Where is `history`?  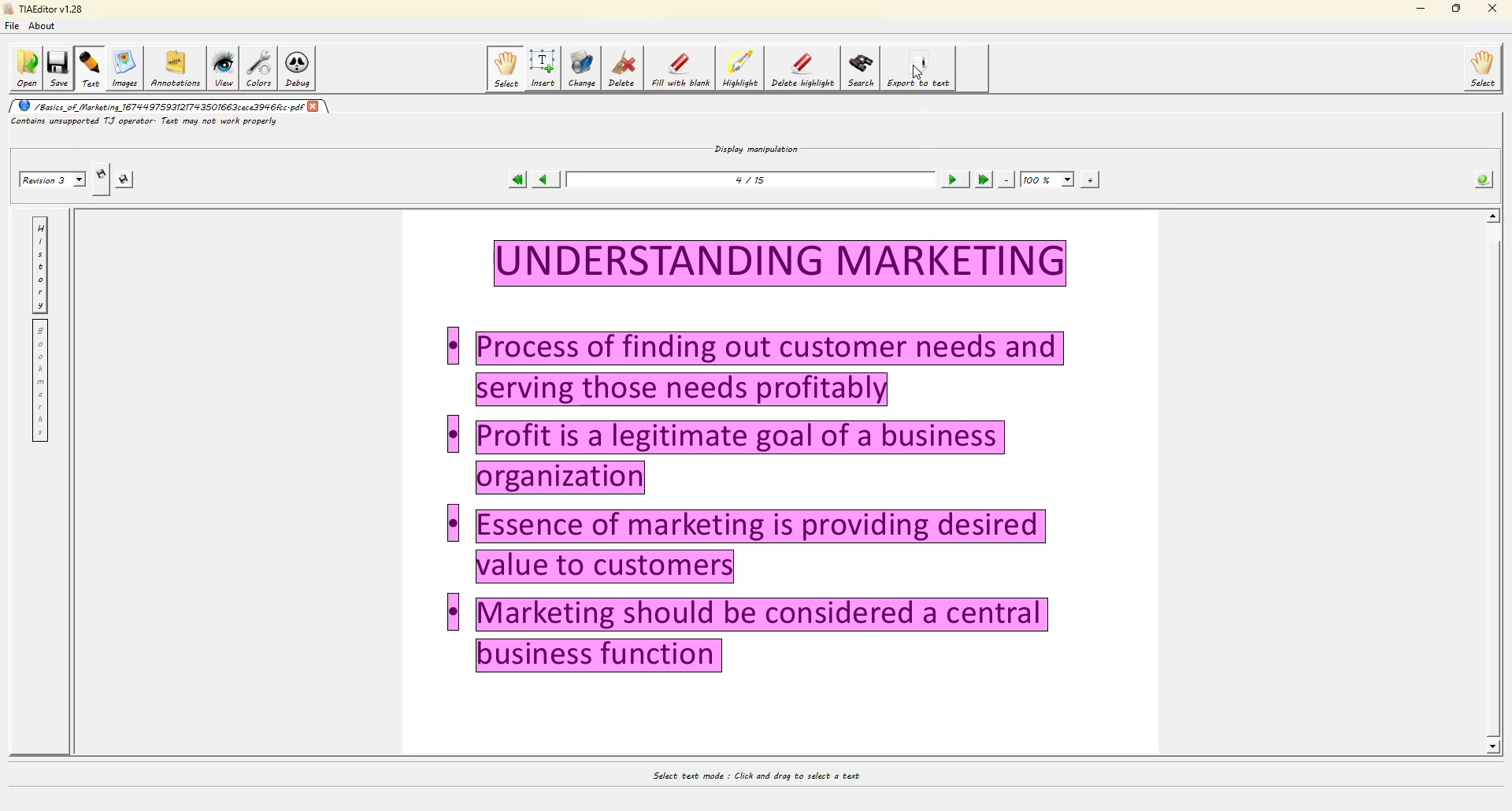 history is located at coordinates (40, 265).